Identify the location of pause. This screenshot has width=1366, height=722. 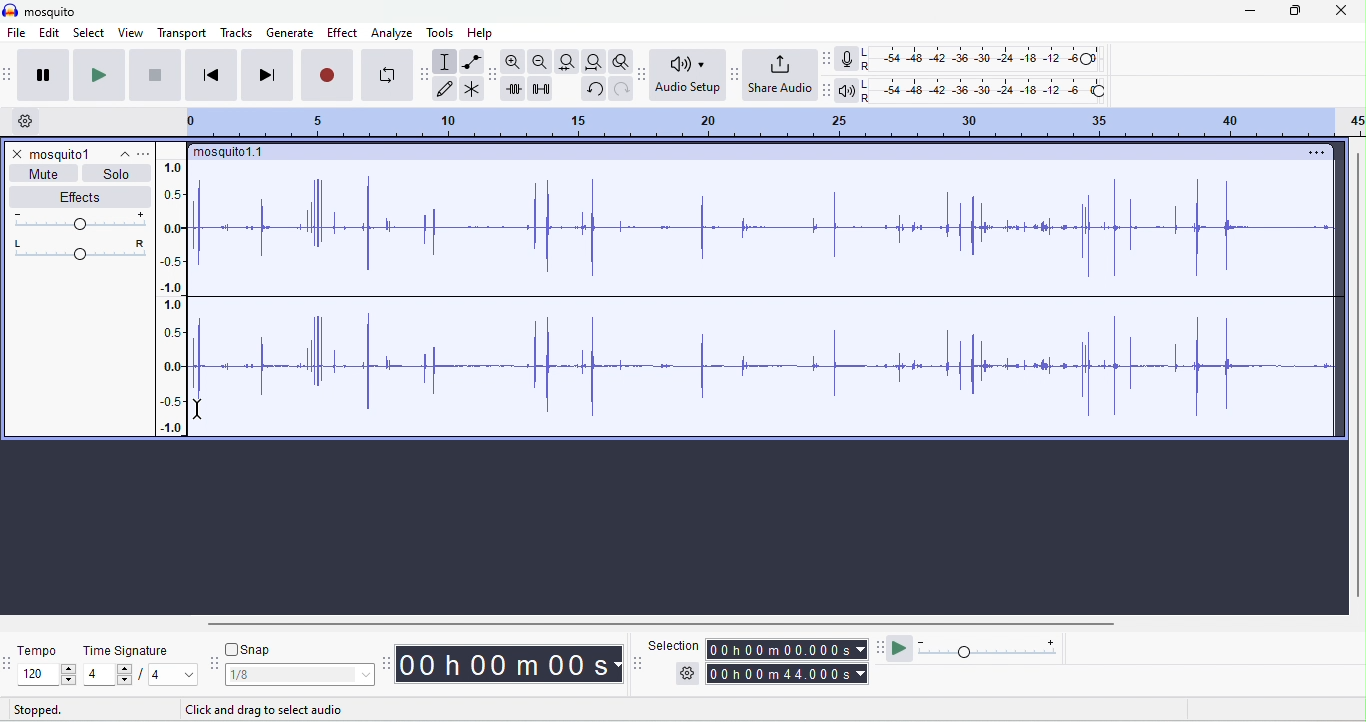
(44, 77).